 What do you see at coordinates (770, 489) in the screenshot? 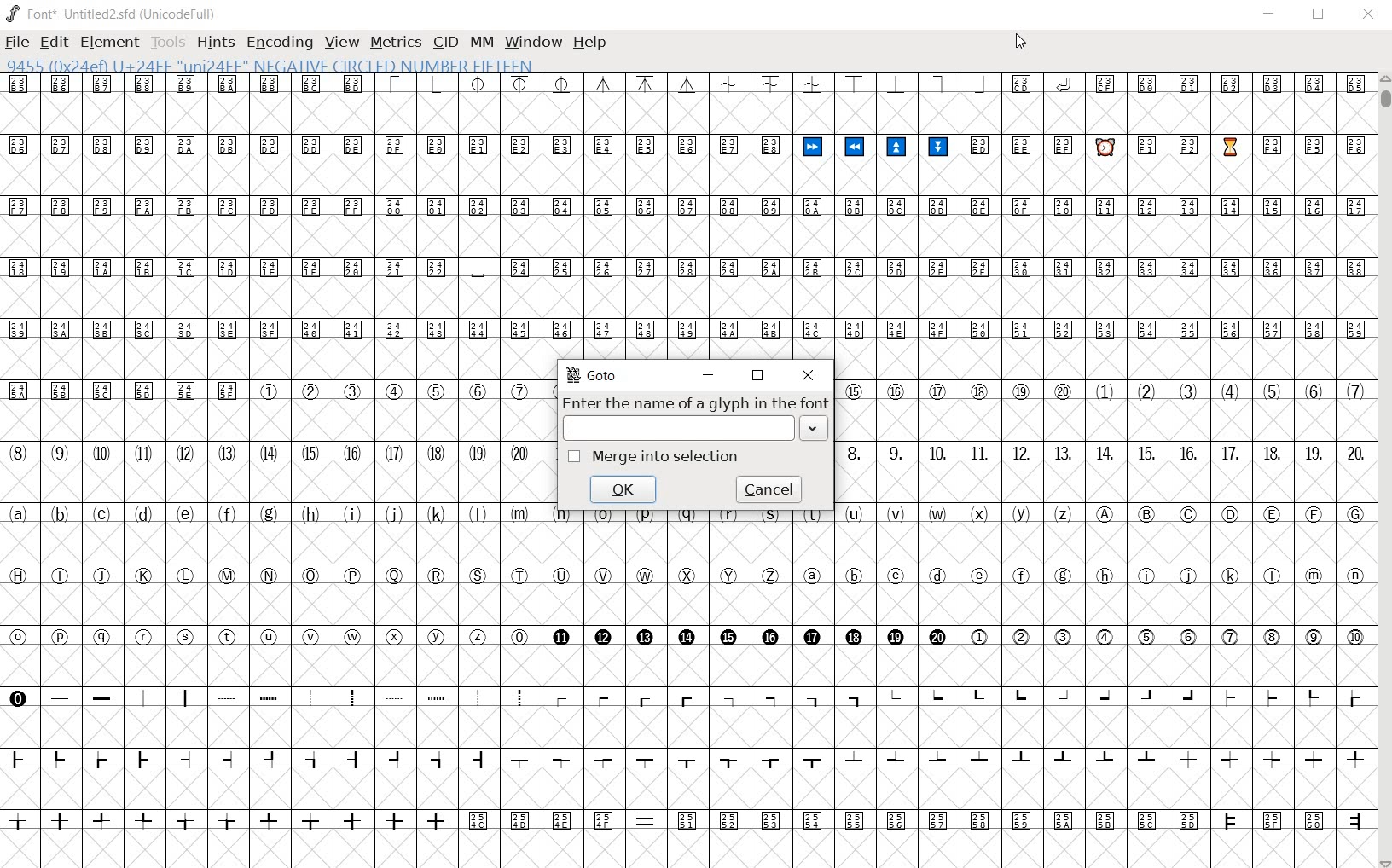
I see `cancel` at bounding box center [770, 489].